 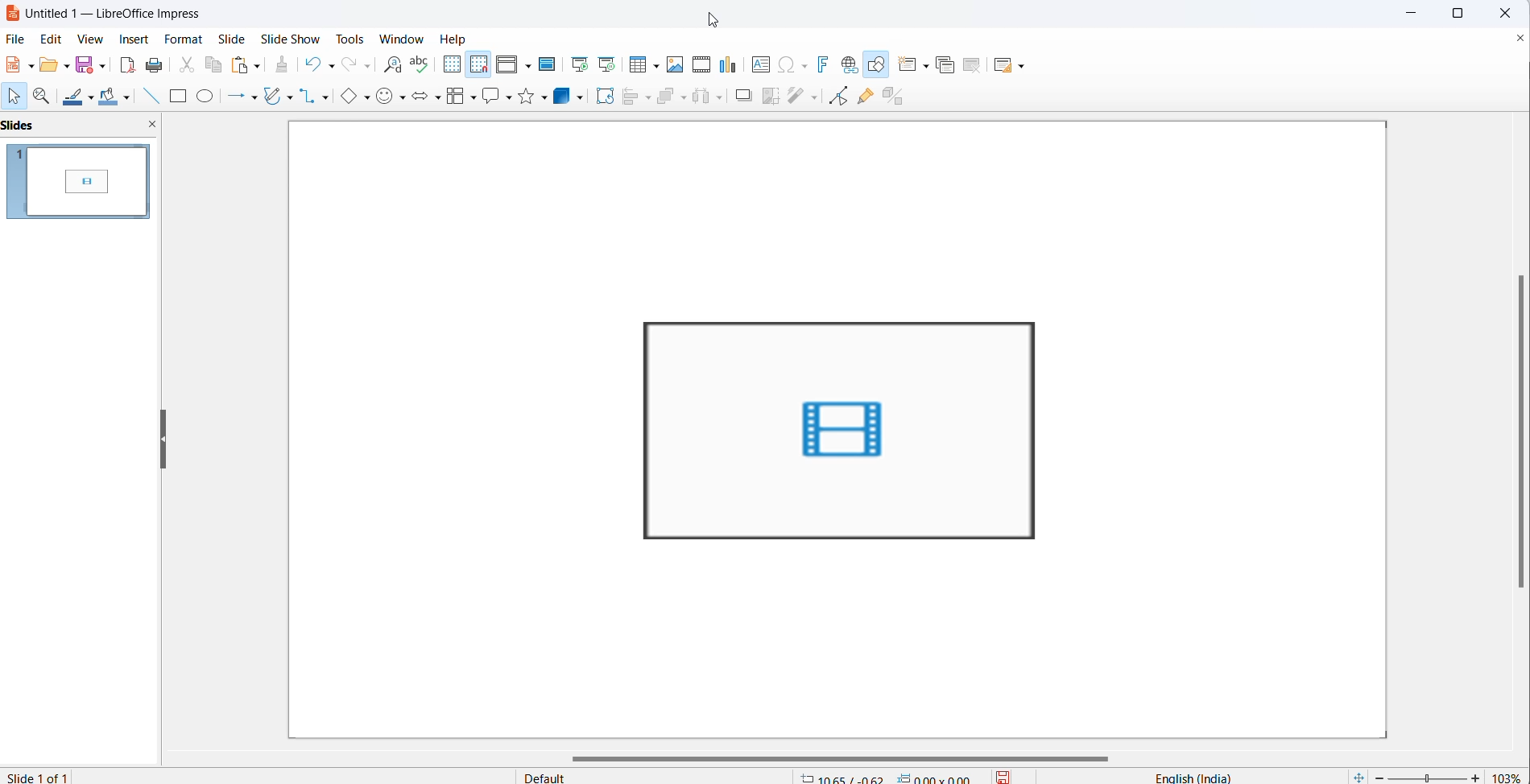 I want to click on insert, so click(x=134, y=38).